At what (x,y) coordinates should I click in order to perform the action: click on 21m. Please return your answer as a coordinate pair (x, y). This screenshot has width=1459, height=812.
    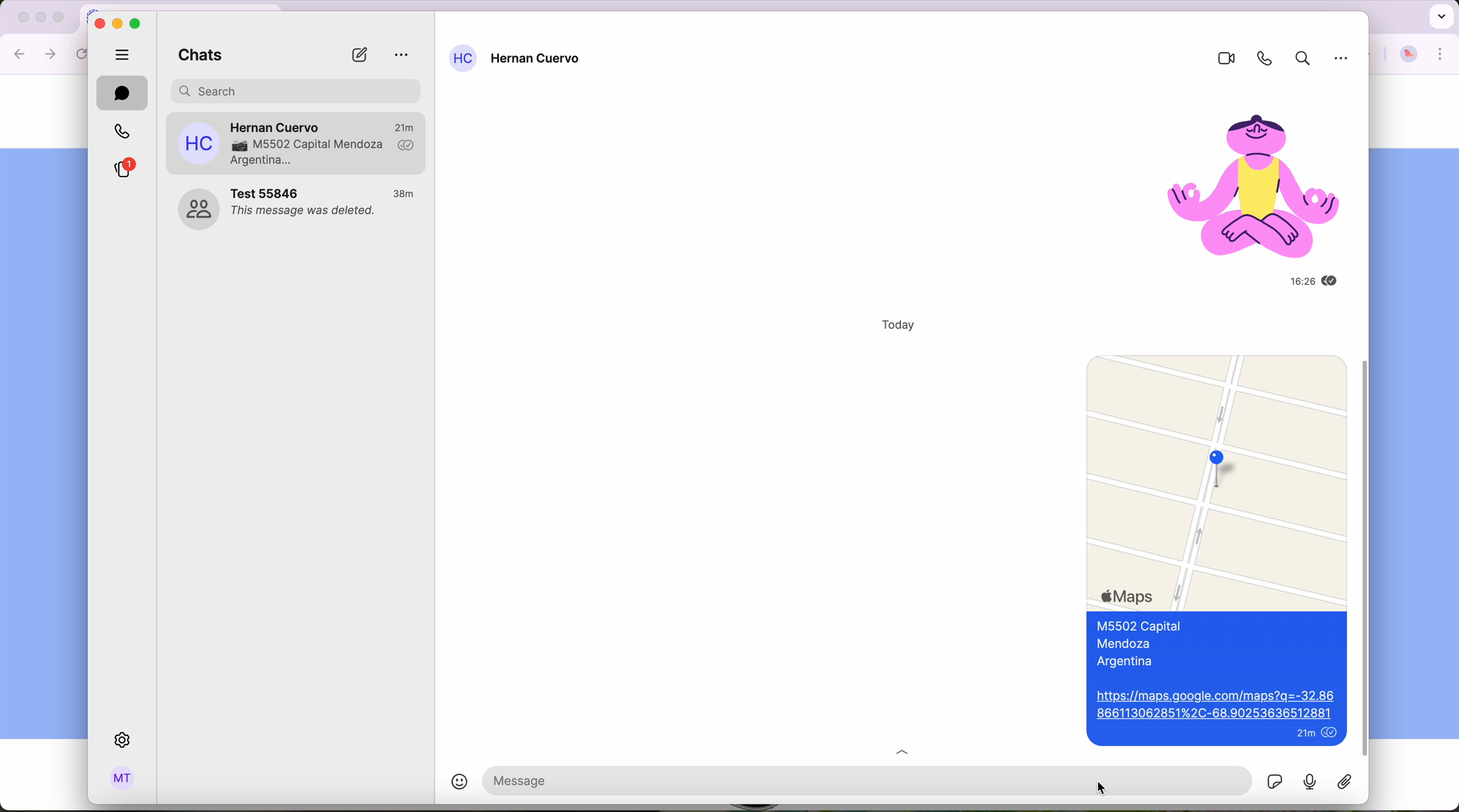
    Looking at the image, I should click on (404, 126).